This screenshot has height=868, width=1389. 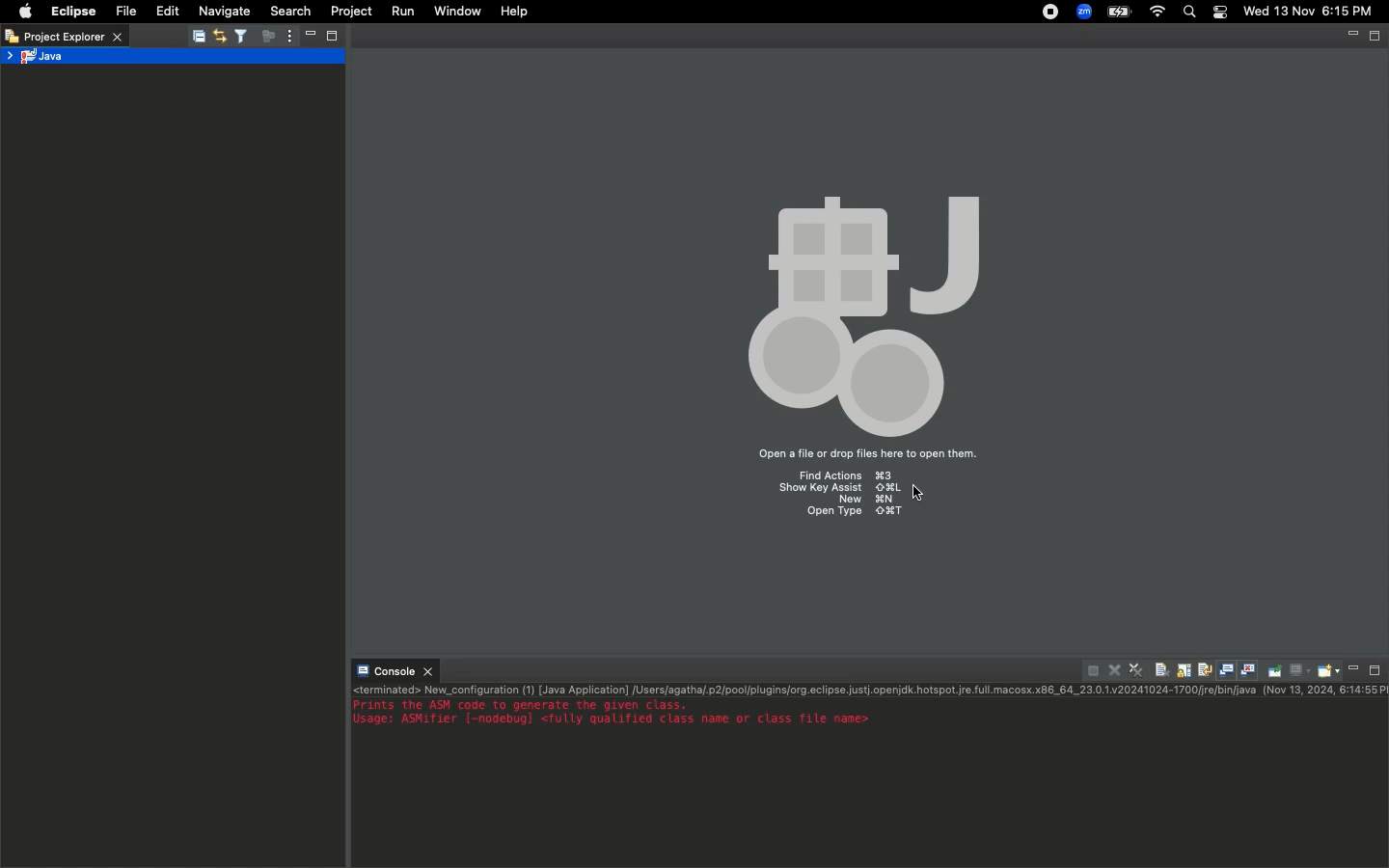 I want to click on Date/time, so click(x=1316, y=11).